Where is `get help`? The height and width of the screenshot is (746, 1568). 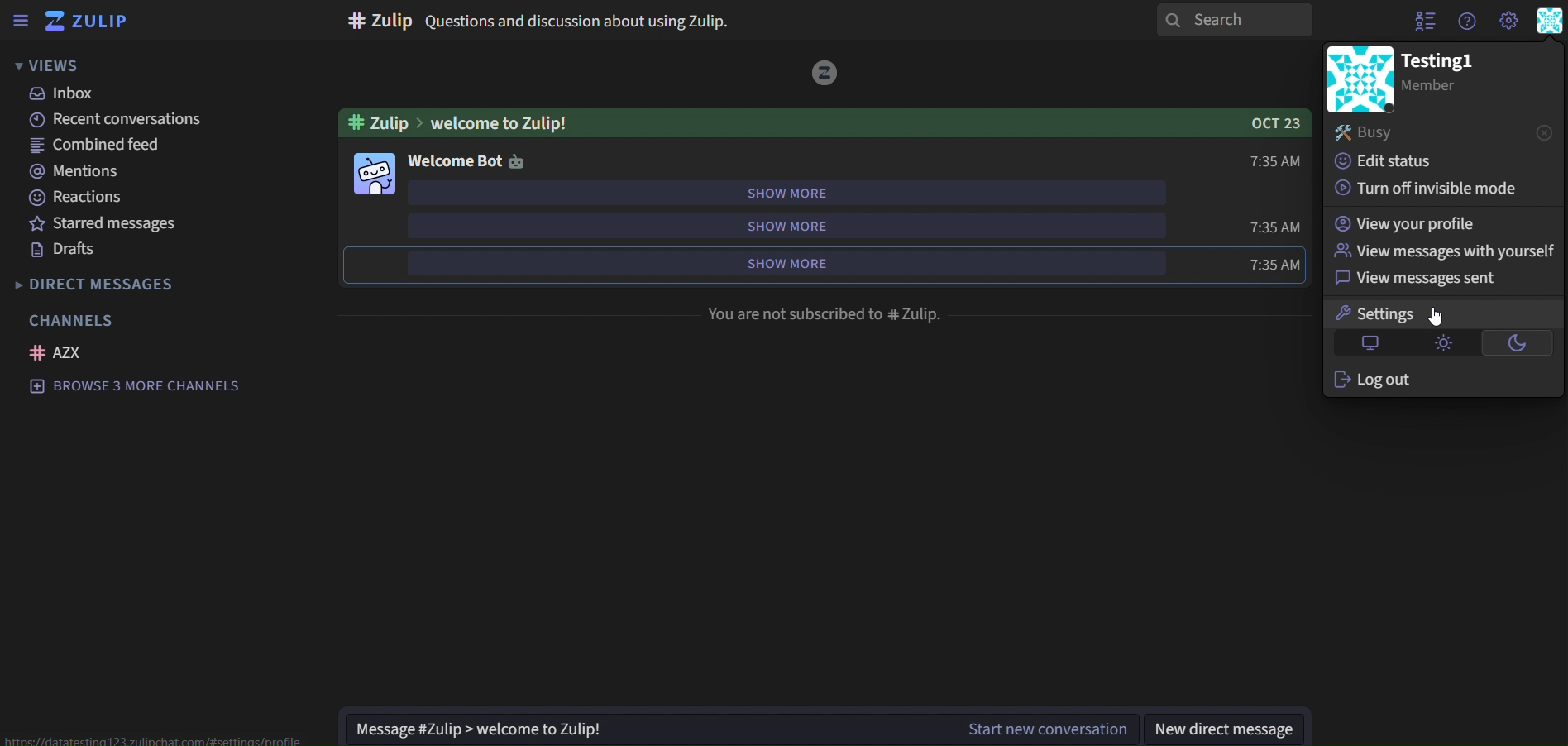
get help is located at coordinates (1467, 22).